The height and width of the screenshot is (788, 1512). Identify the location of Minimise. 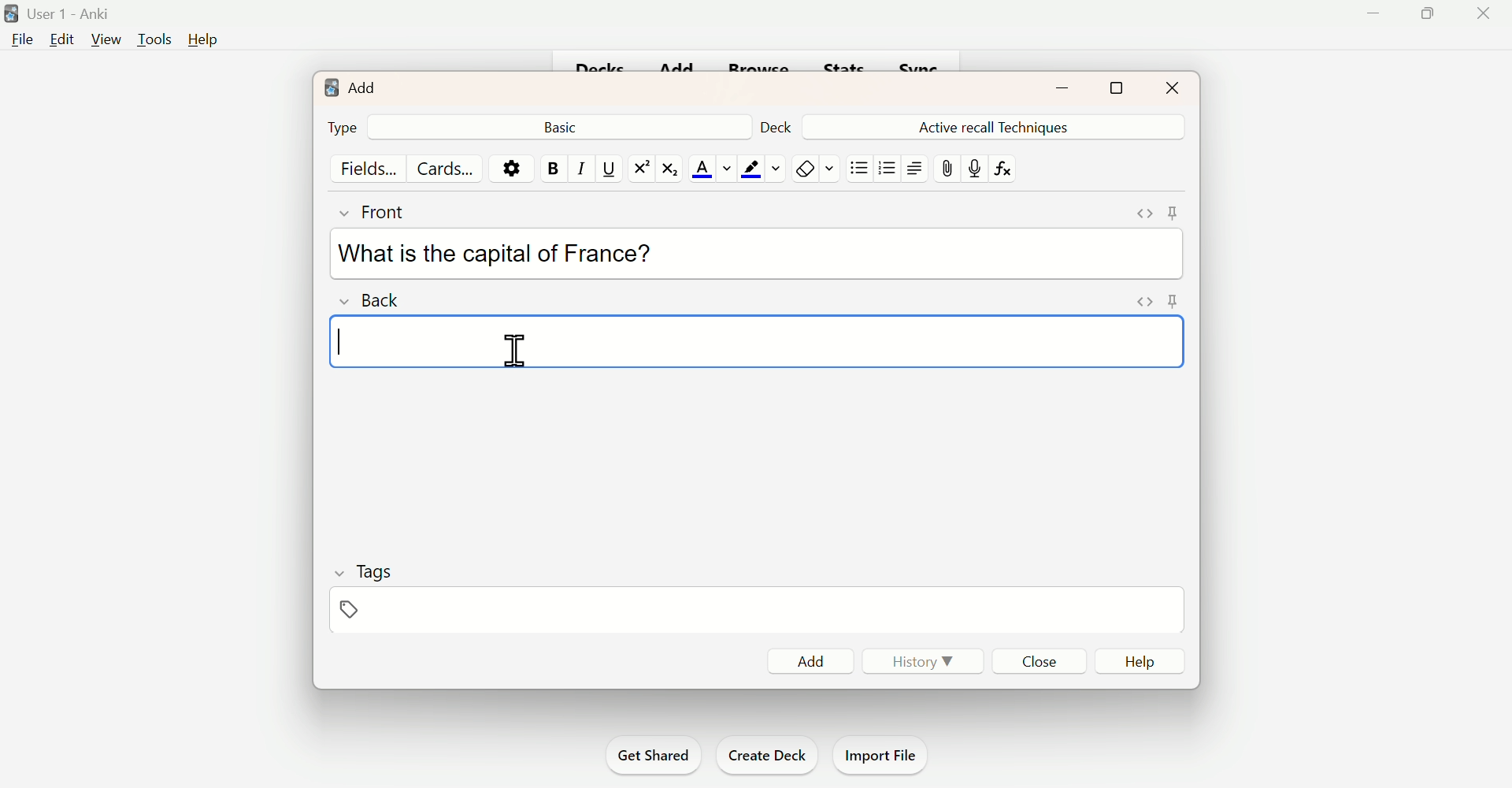
(1373, 15).